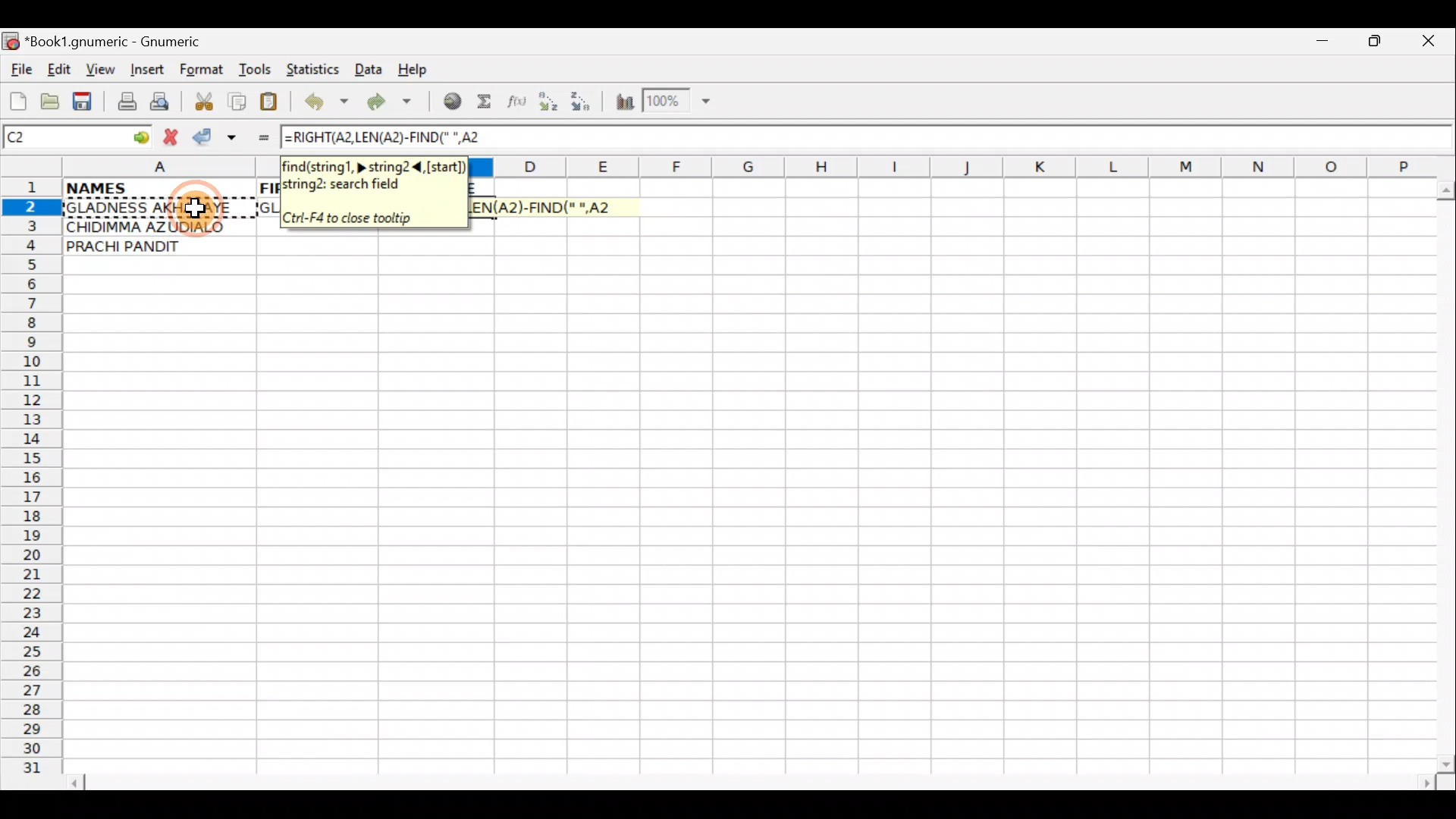 The image size is (1456, 819). What do you see at coordinates (193, 206) in the screenshot?
I see `Cursor on cell A2` at bounding box center [193, 206].